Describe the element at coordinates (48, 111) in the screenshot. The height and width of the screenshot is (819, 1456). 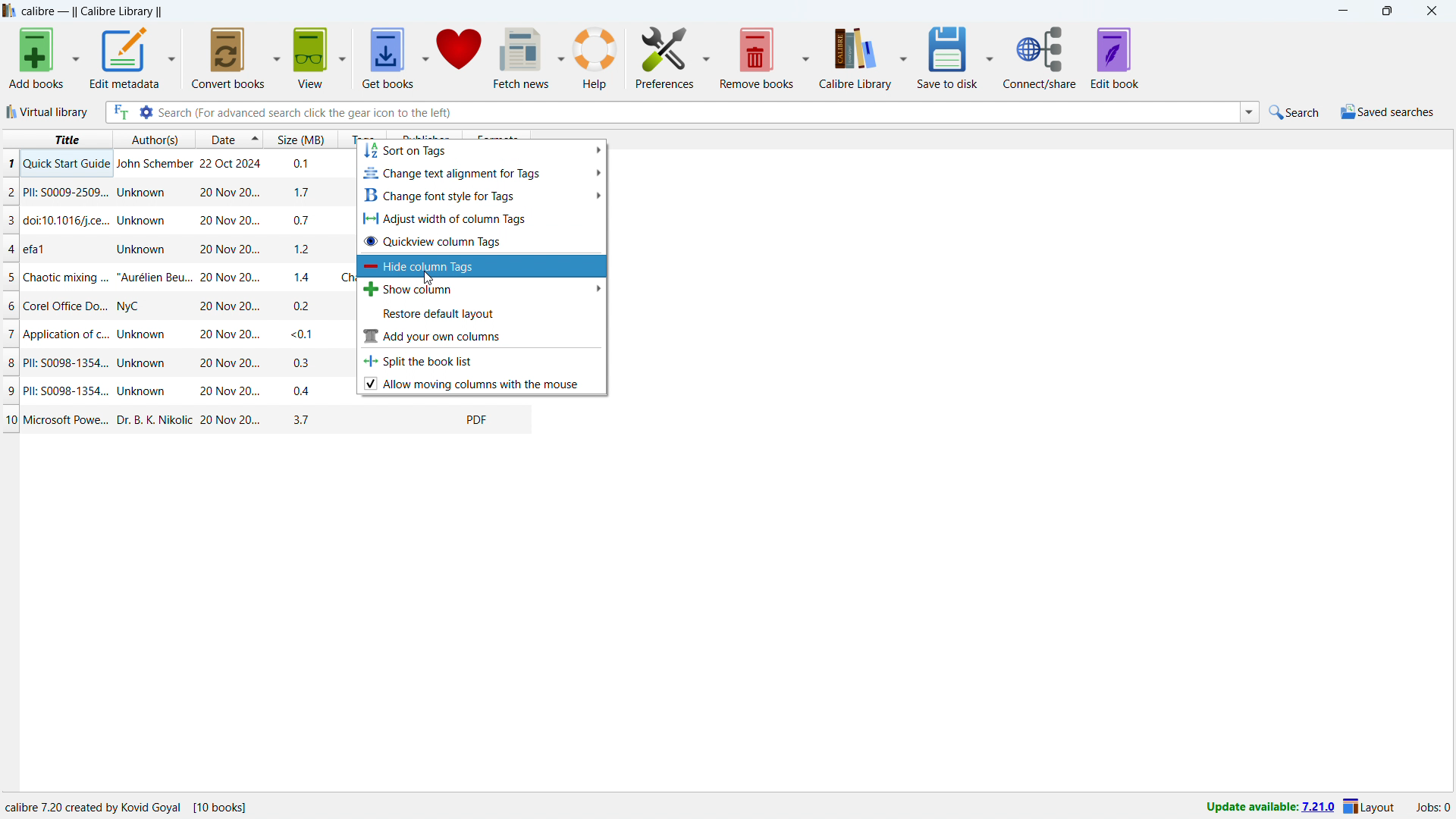
I see `virtual library` at that location.